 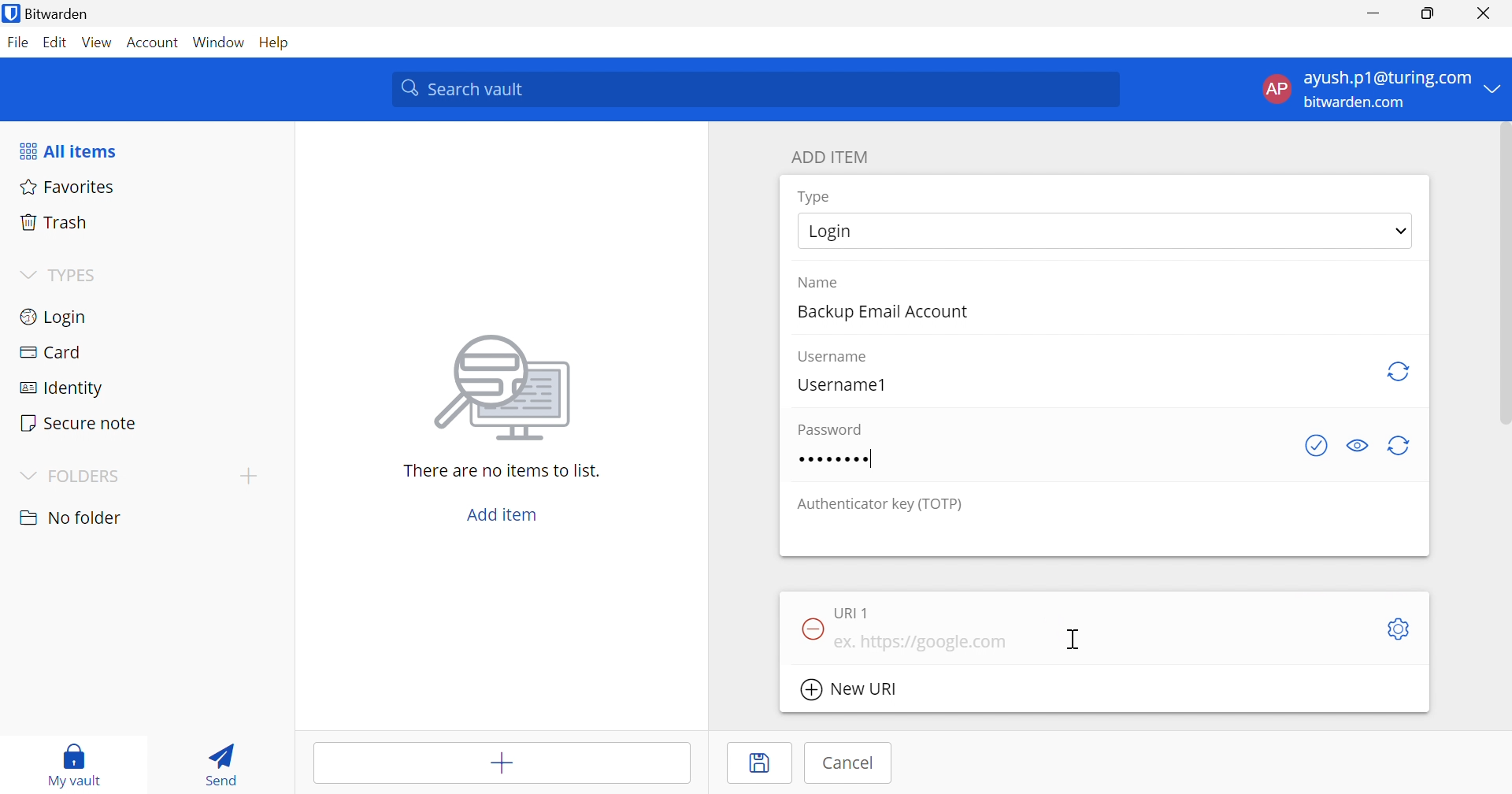 I want to click on File, so click(x=17, y=42).